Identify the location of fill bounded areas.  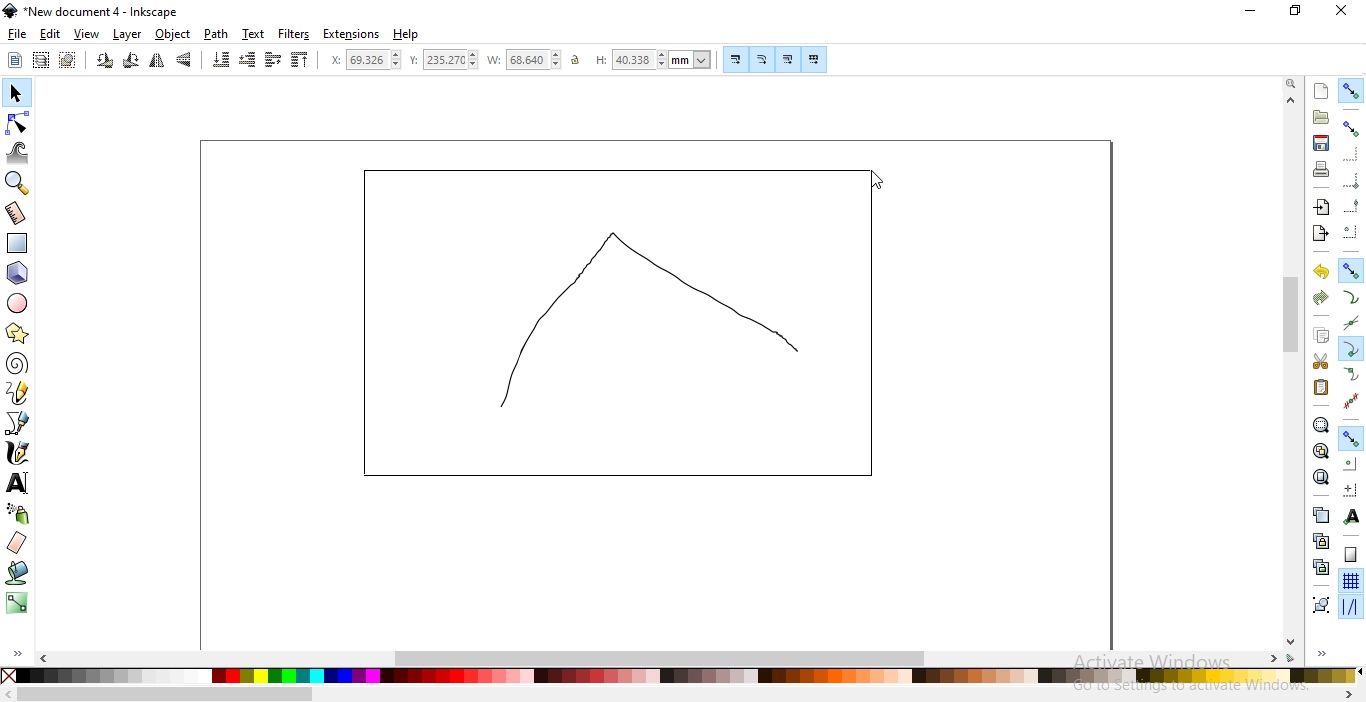
(18, 573).